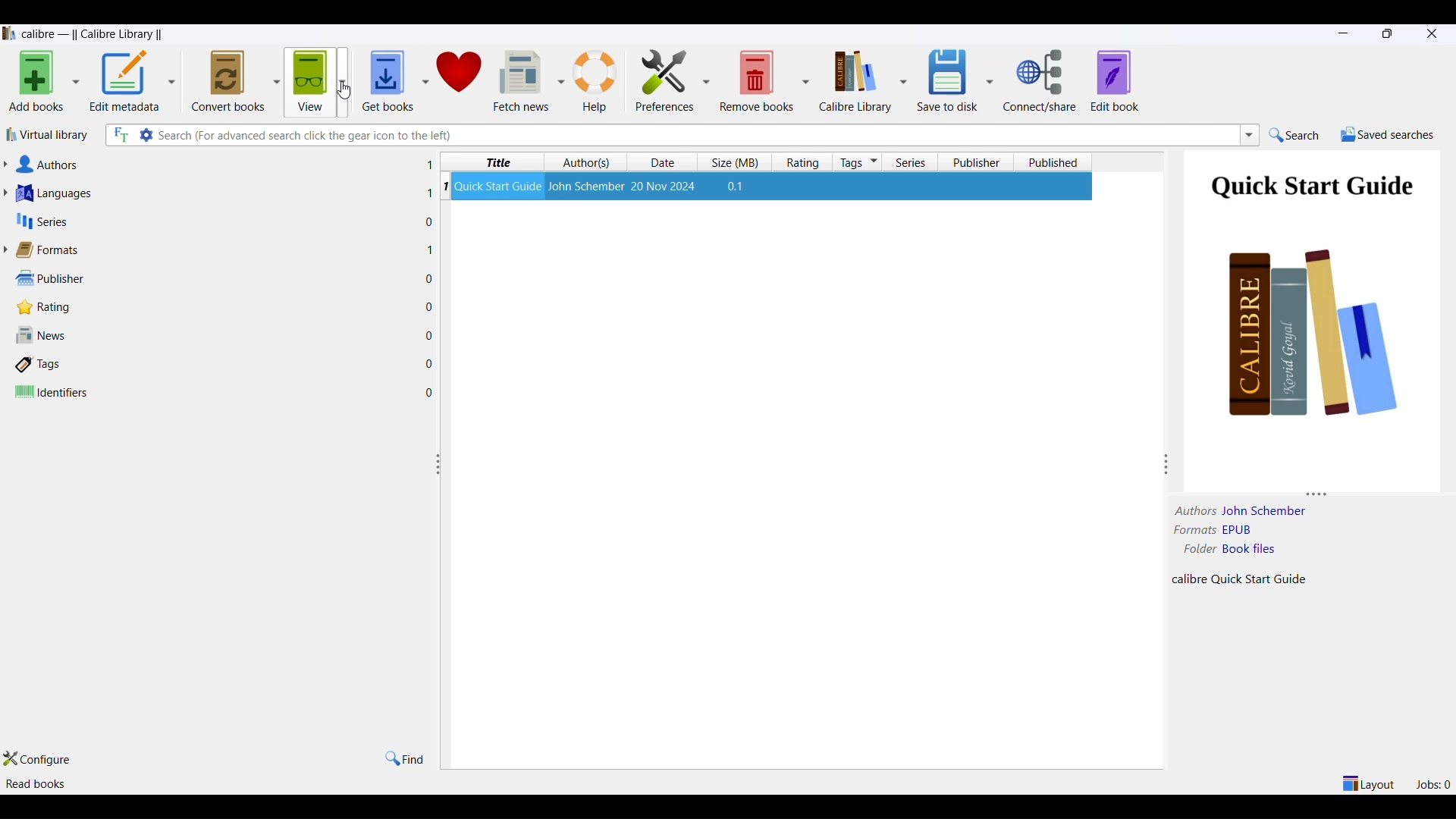 The width and height of the screenshot is (1456, 819). What do you see at coordinates (1167, 464) in the screenshot?
I see `resize` at bounding box center [1167, 464].